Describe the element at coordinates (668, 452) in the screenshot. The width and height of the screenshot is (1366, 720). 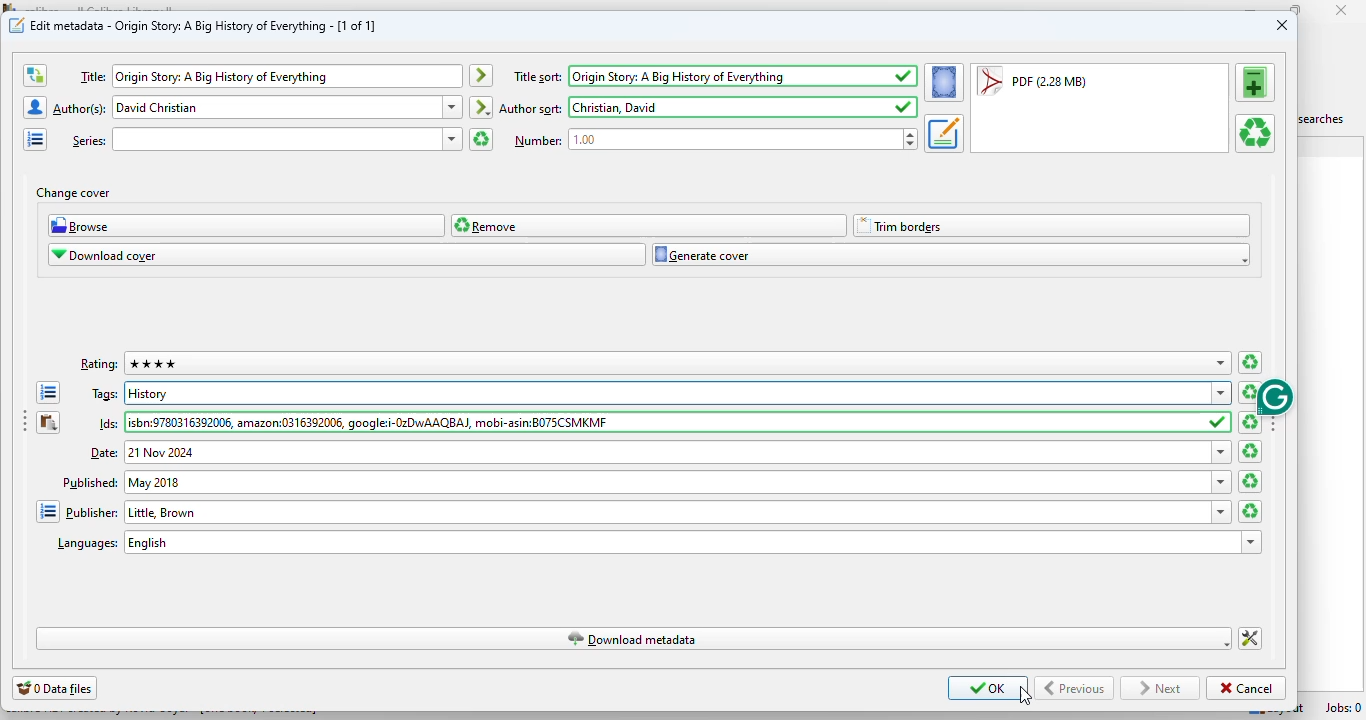
I see `date: 21 Nov 2024` at that location.